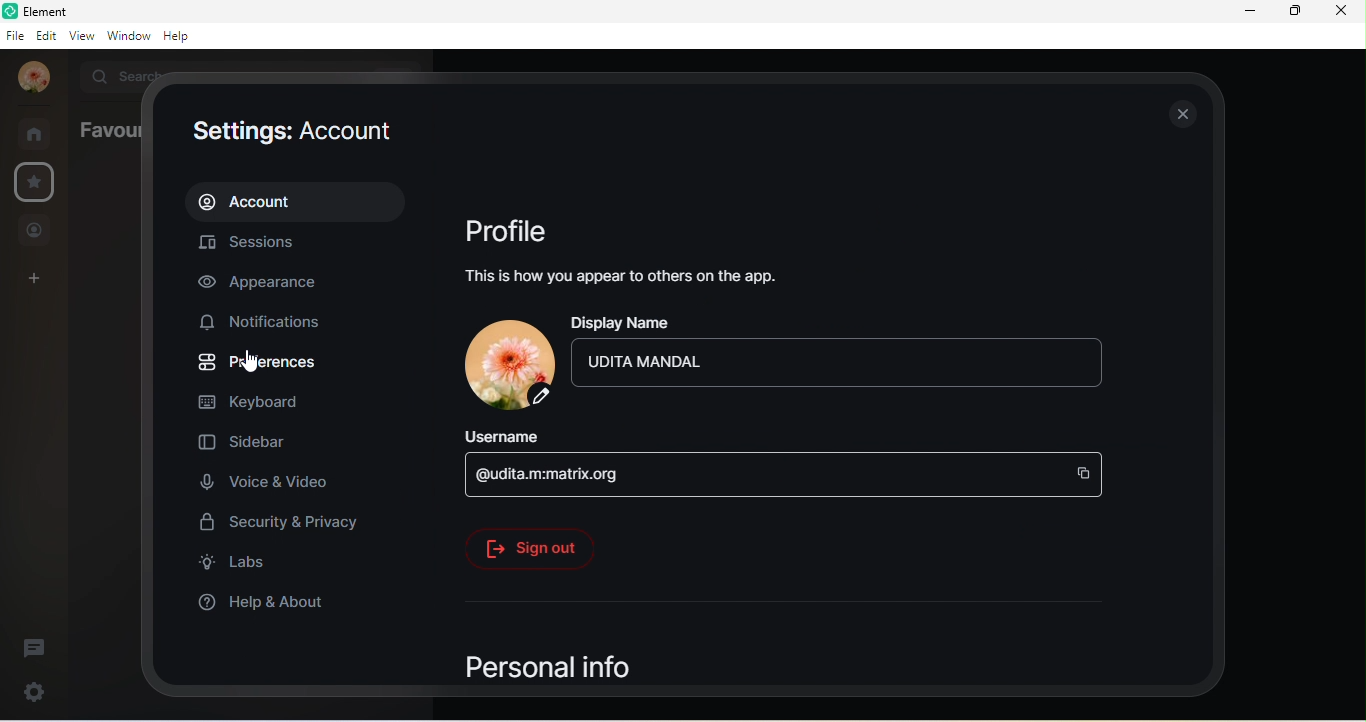  What do you see at coordinates (696, 362) in the screenshot?
I see `udita mandal` at bounding box center [696, 362].